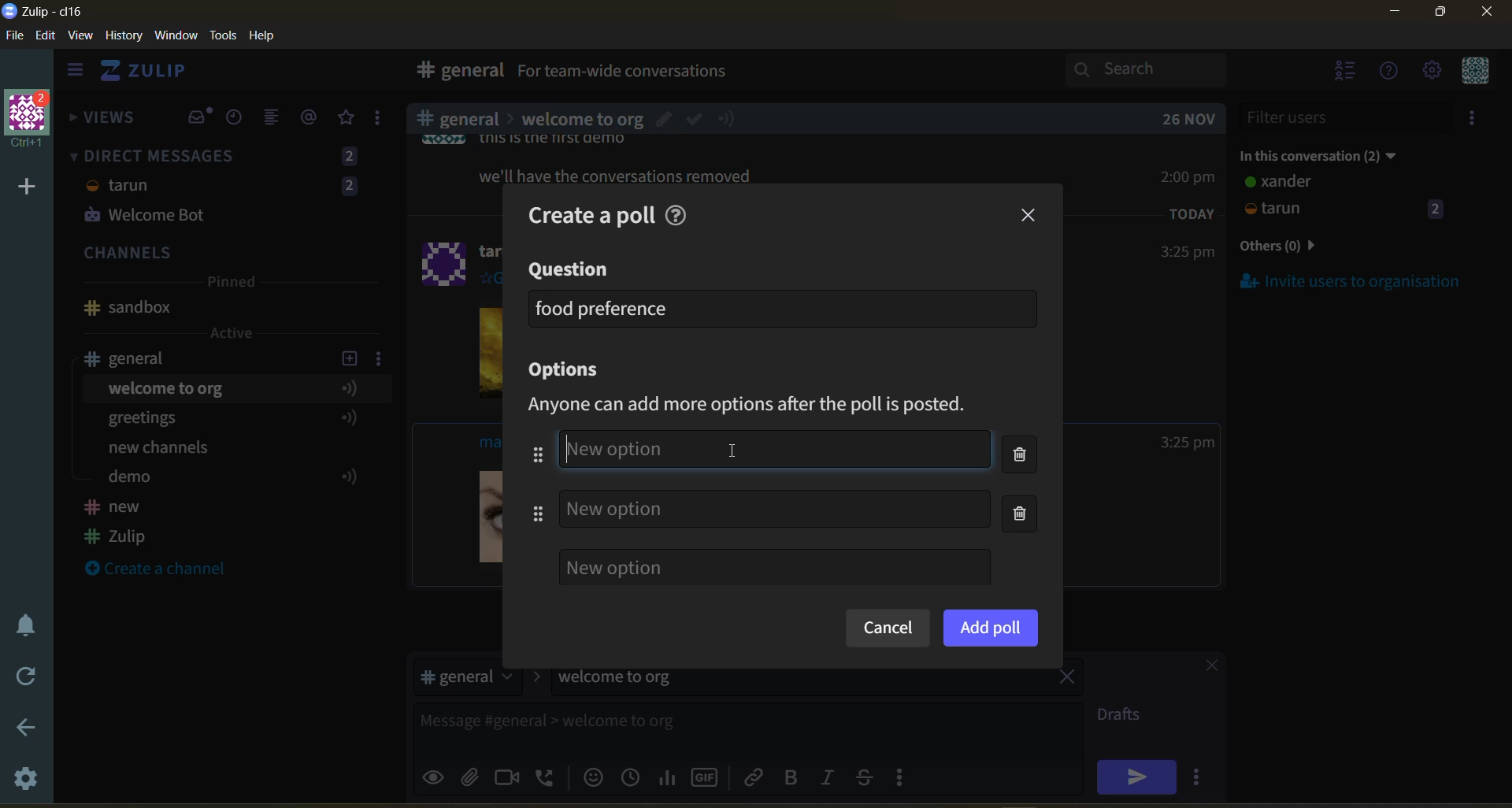 The height and width of the screenshot is (808, 1512). Describe the element at coordinates (1437, 17) in the screenshot. I see `maximize` at that location.